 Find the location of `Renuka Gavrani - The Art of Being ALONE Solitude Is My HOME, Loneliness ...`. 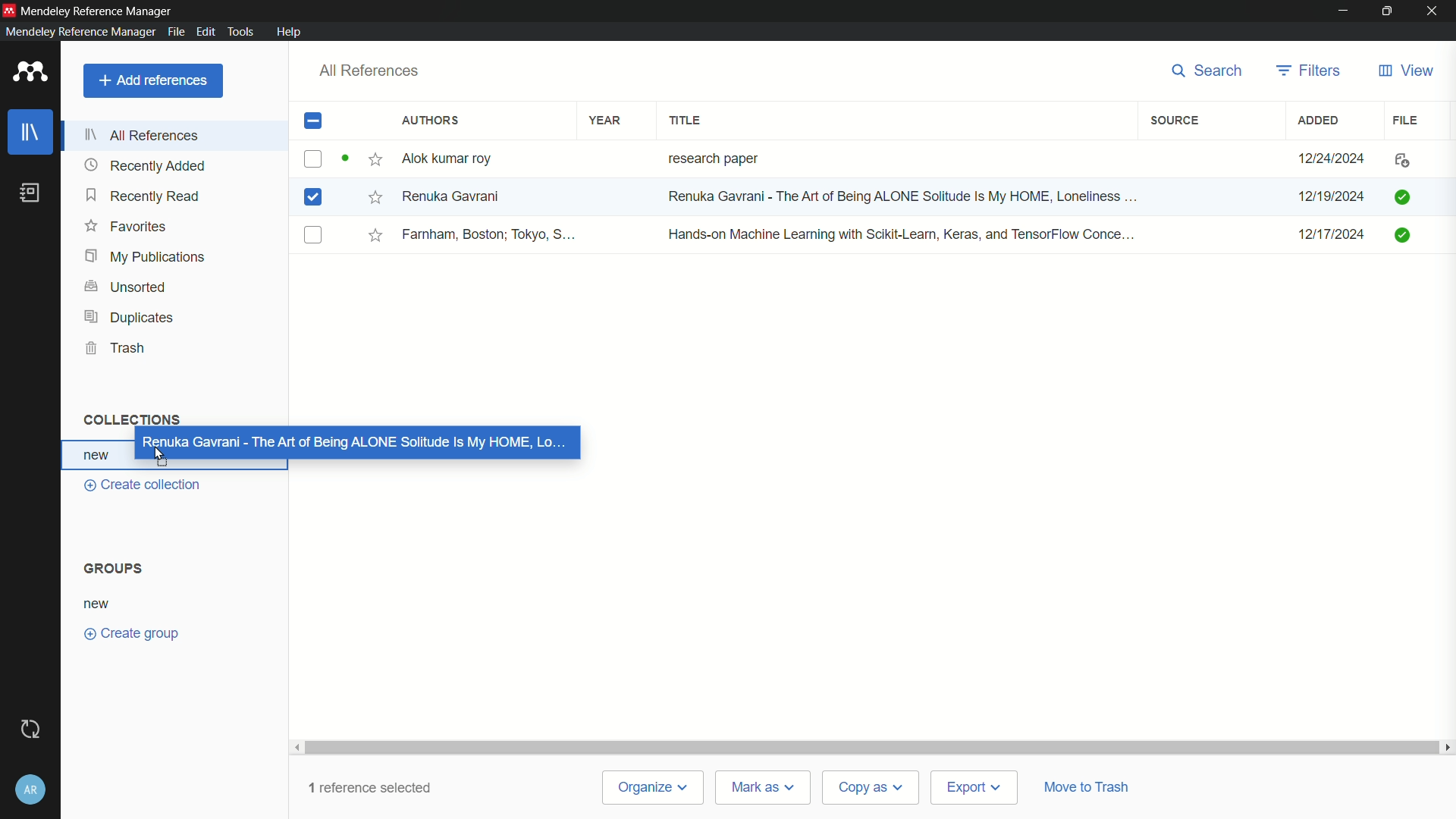

Renuka Gavrani - The Art of Being ALONE Solitude Is My HOME, Loneliness ... is located at coordinates (913, 196).